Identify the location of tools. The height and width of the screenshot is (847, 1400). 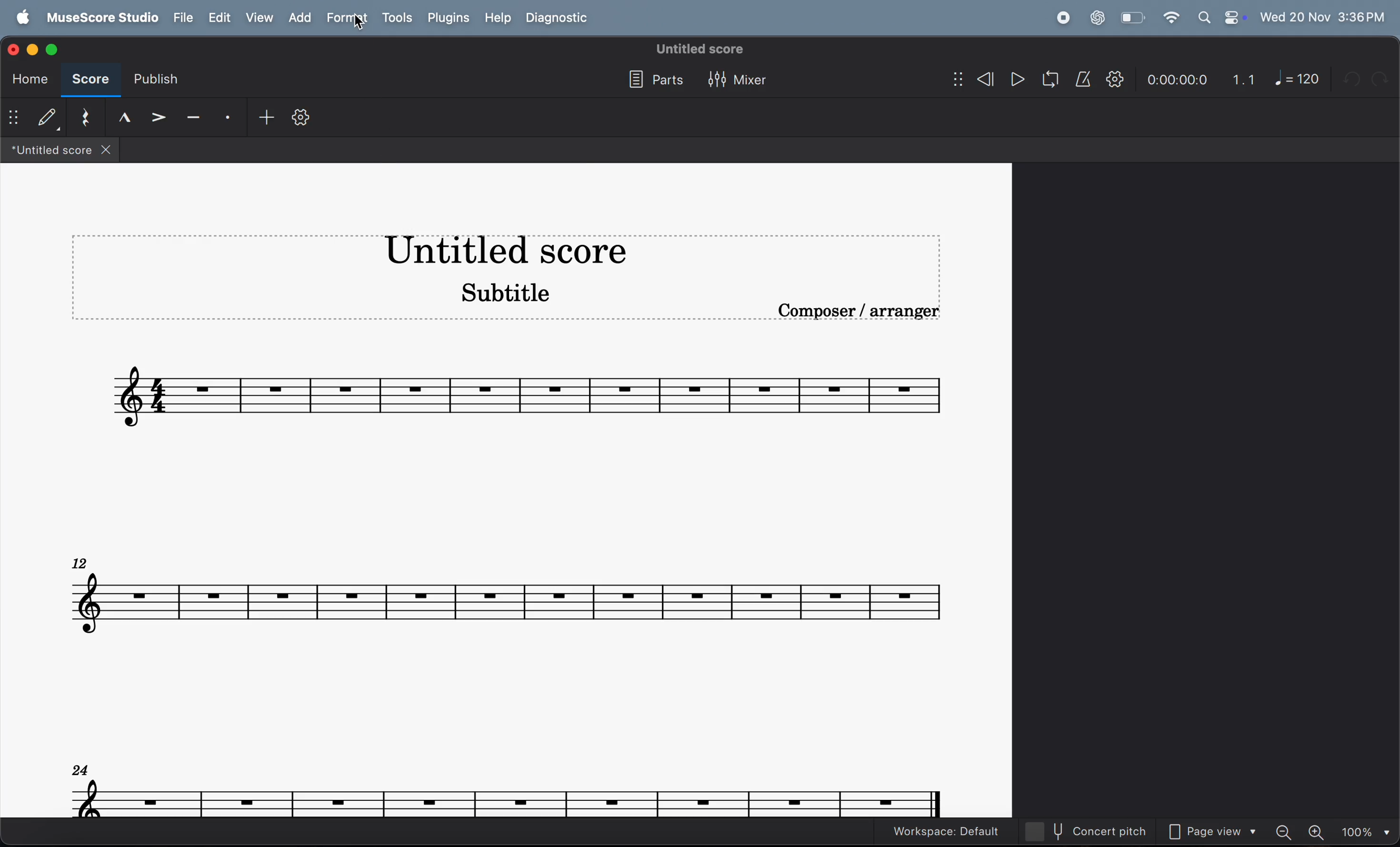
(397, 19).